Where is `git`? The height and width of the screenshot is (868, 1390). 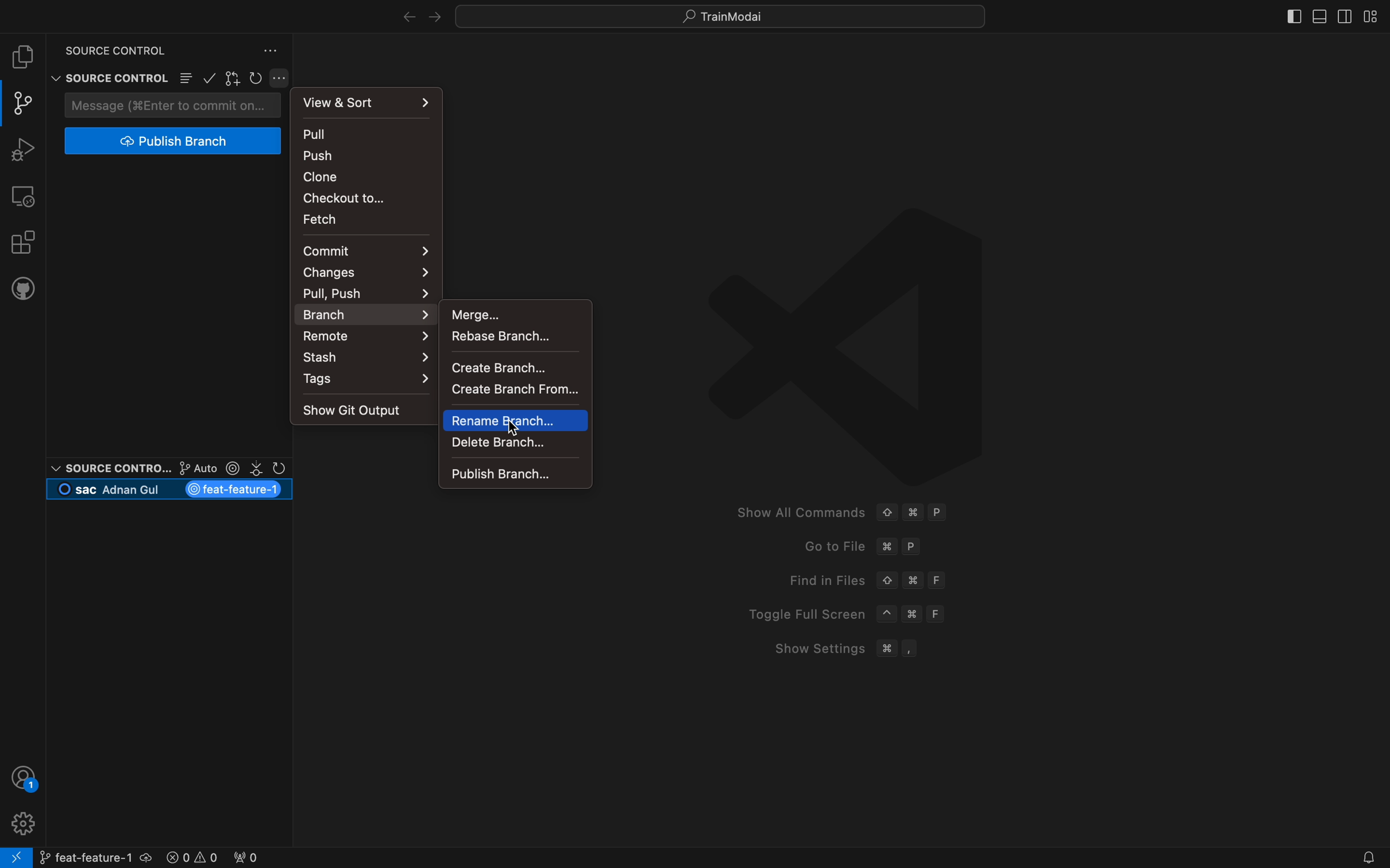 git is located at coordinates (25, 103).